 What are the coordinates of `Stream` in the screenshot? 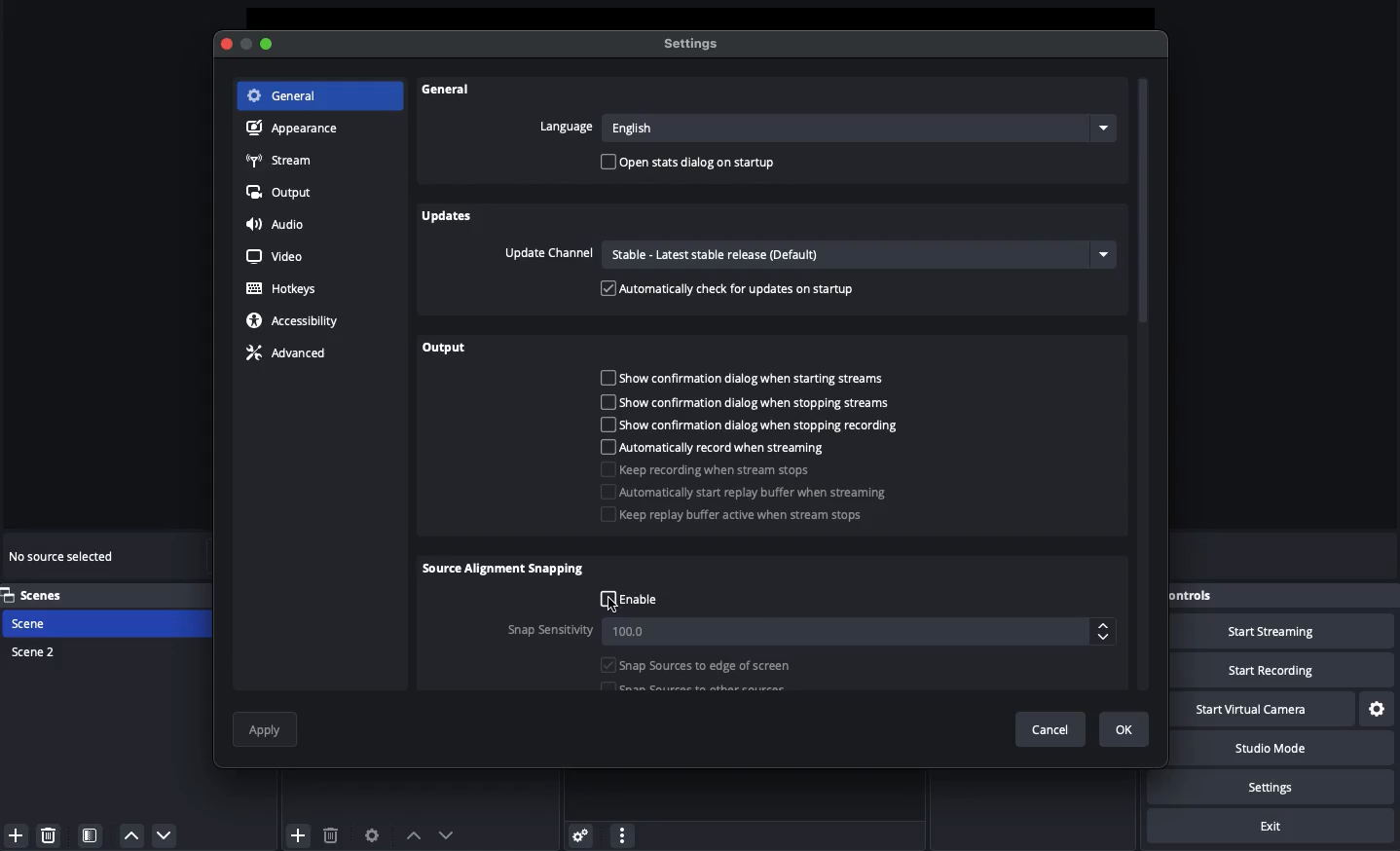 It's located at (283, 160).